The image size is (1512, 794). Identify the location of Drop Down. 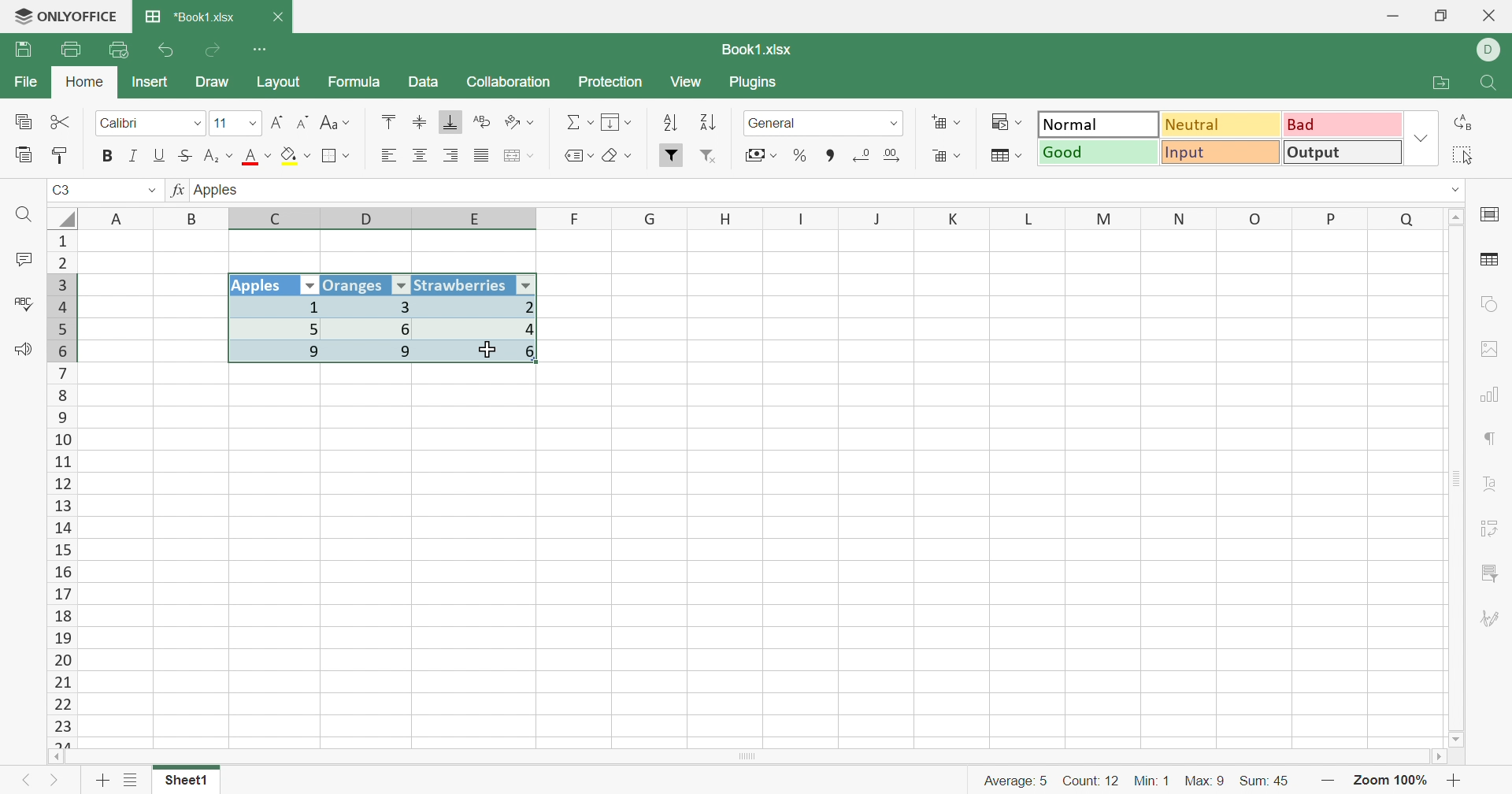
(250, 125).